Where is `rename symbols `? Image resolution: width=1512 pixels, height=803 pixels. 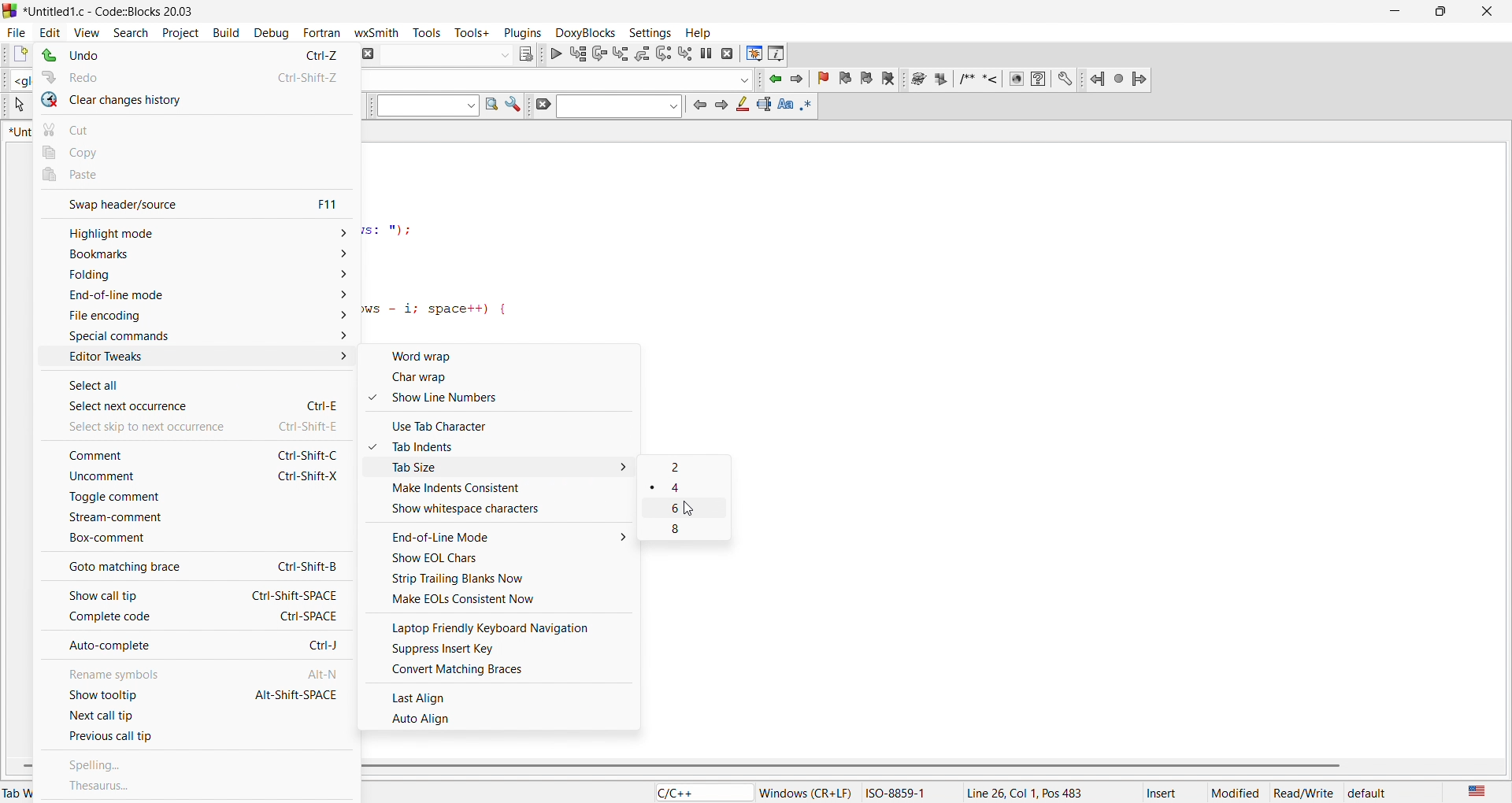
rename symbols  is located at coordinates (130, 672).